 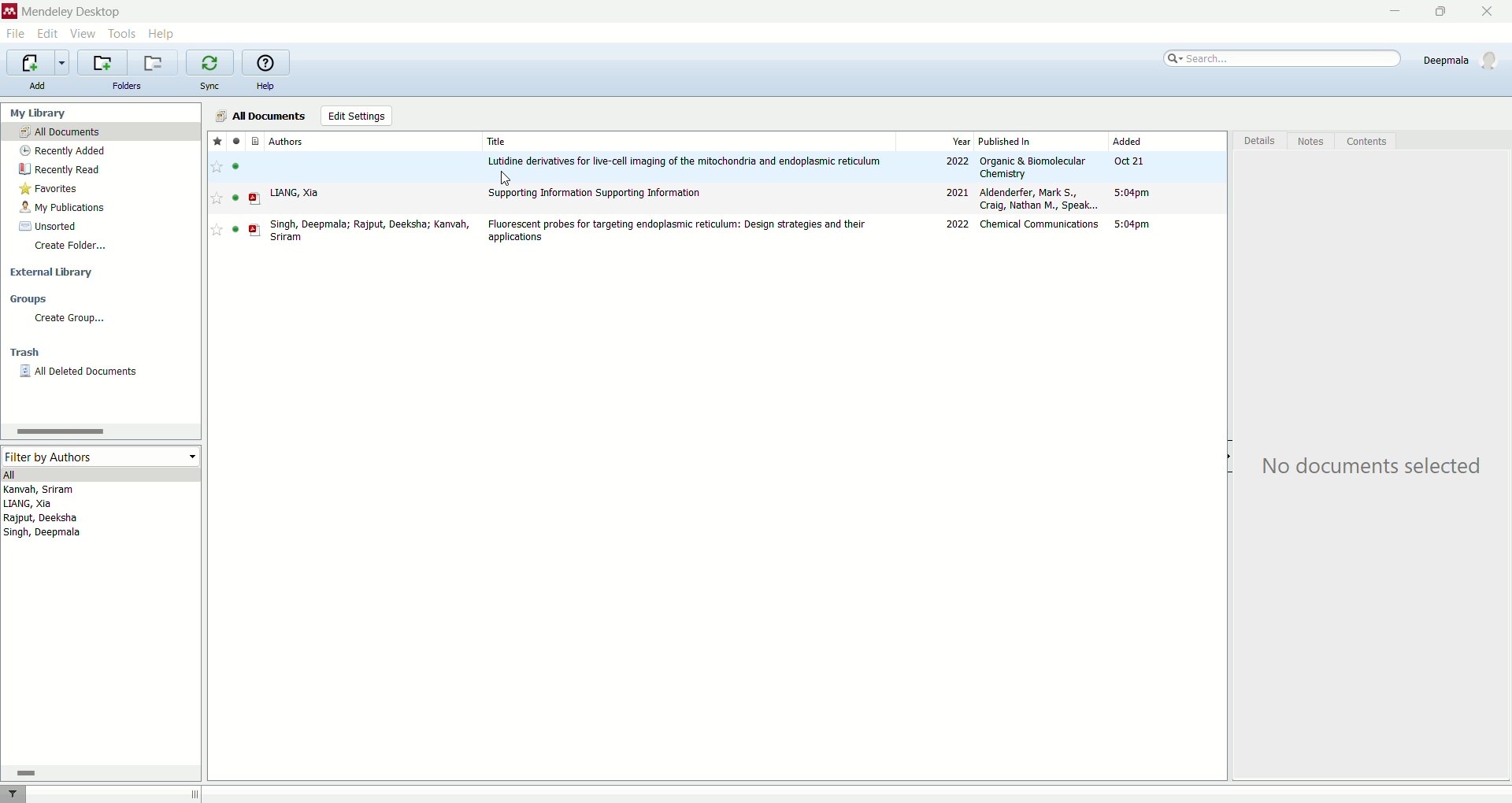 What do you see at coordinates (958, 140) in the screenshot?
I see `year` at bounding box center [958, 140].